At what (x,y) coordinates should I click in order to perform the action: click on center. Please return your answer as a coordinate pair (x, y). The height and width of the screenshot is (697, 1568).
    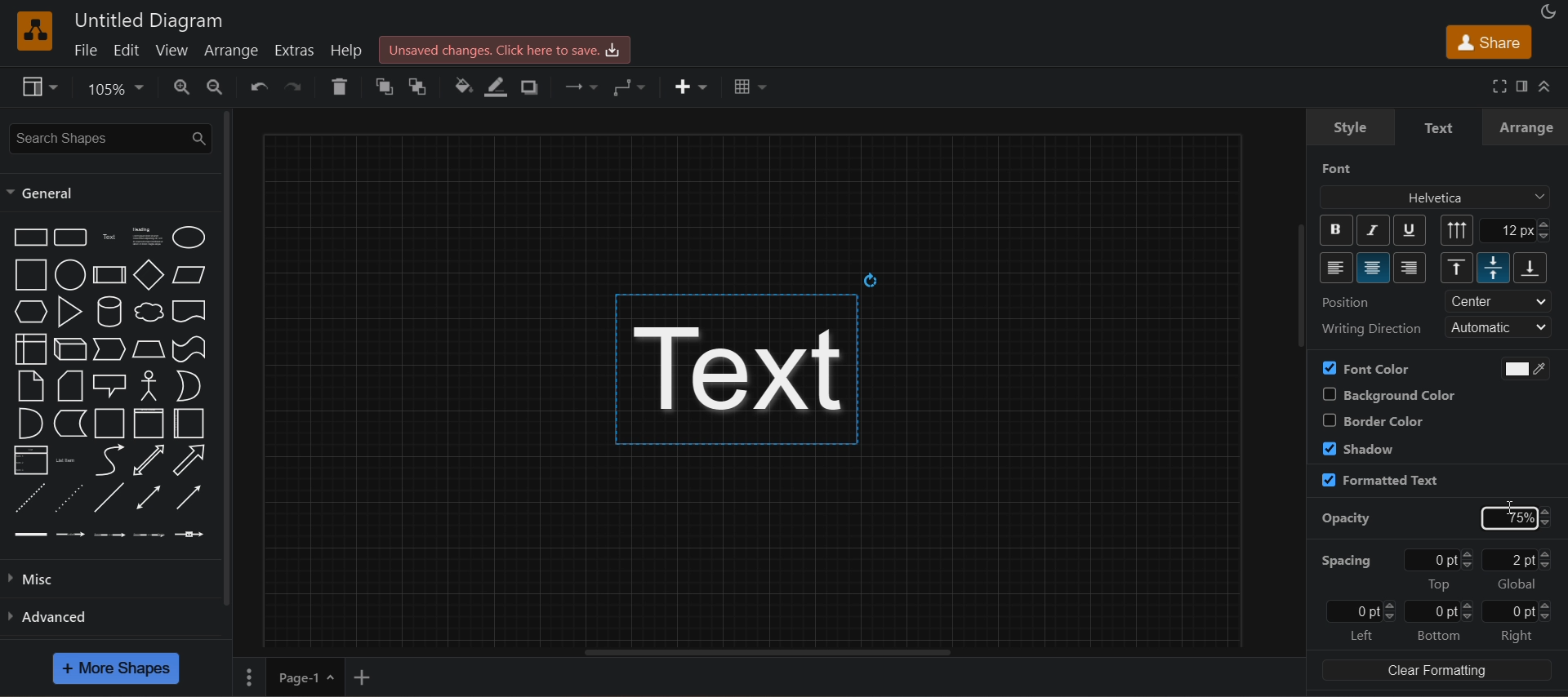
    Looking at the image, I should click on (1499, 301).